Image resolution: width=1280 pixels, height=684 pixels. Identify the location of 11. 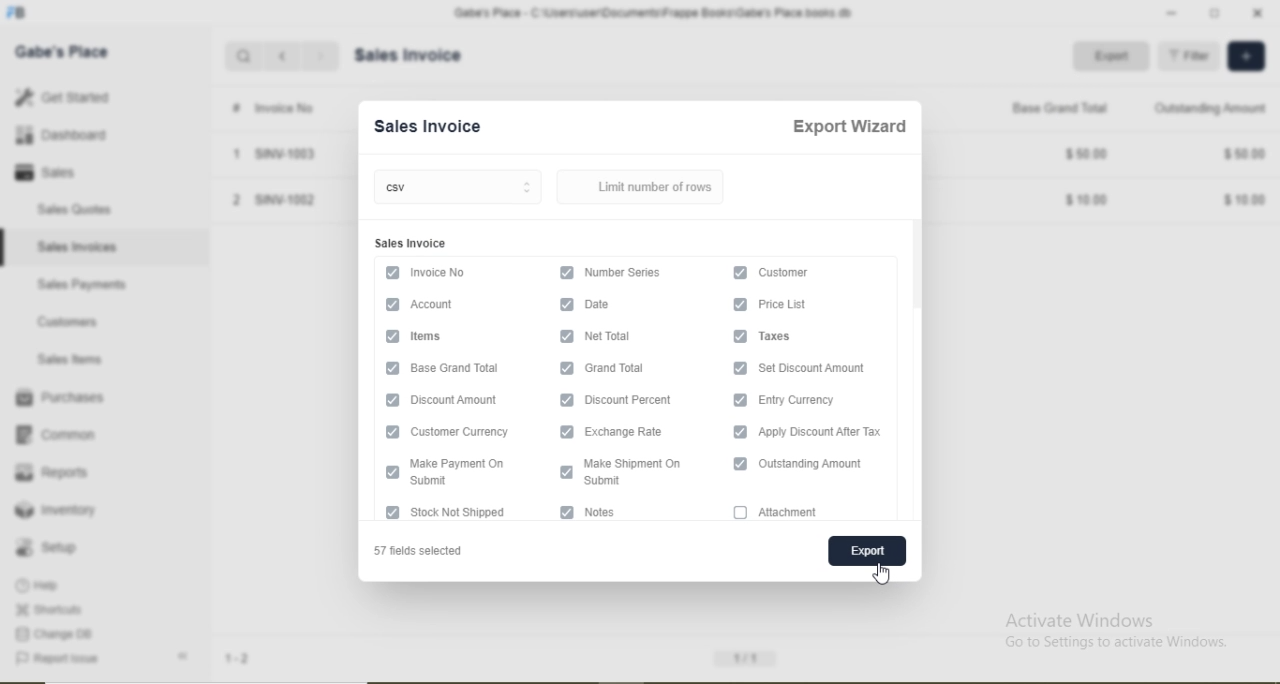
(747, 656).